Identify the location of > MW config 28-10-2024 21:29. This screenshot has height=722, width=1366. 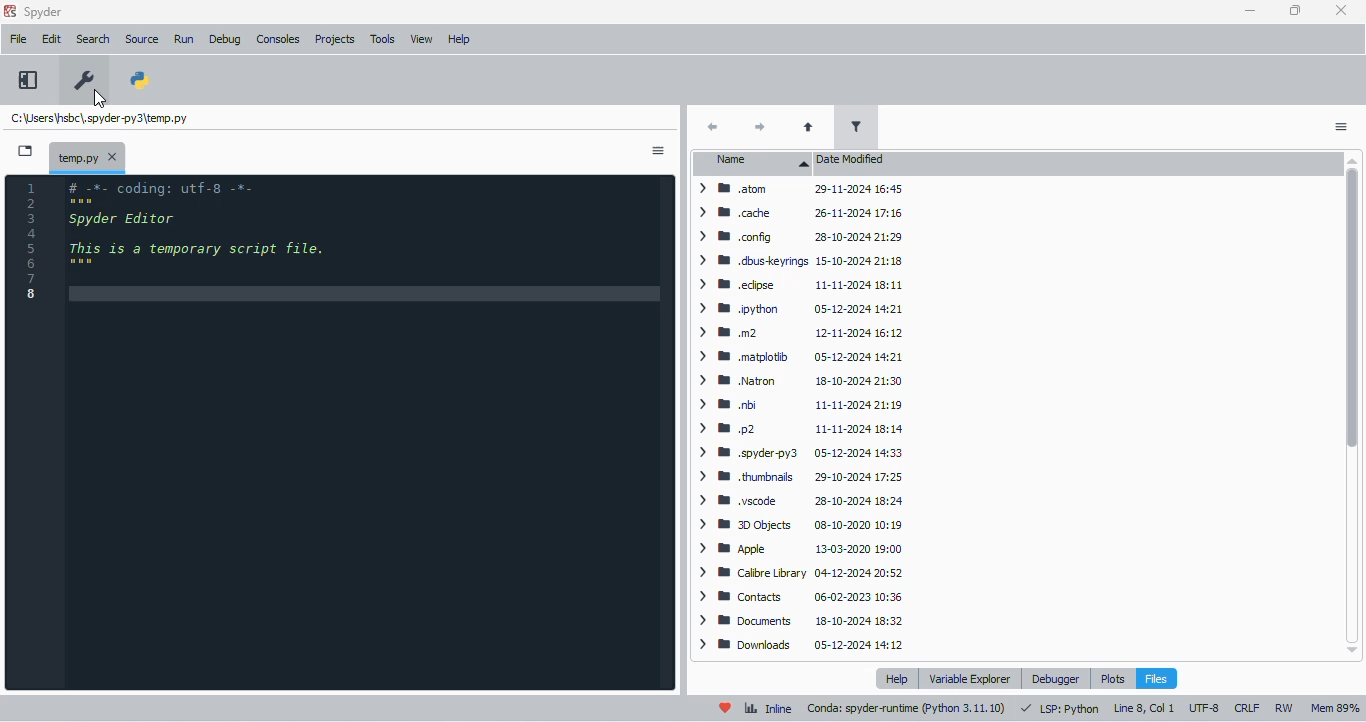
(796, 236).